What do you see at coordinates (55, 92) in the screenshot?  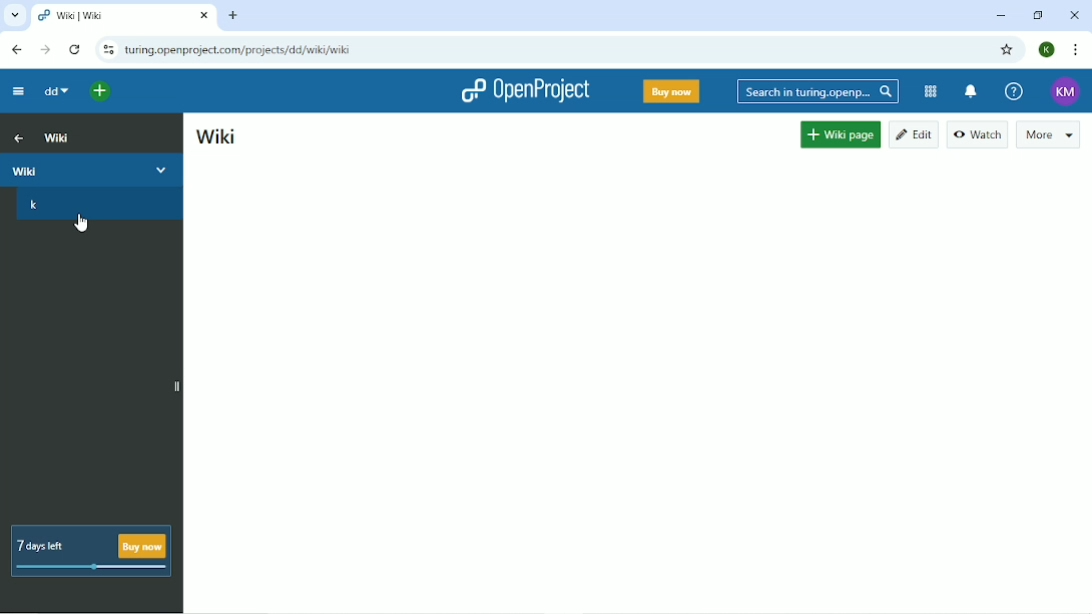 I see `dd` at bounding box center [55, 92].